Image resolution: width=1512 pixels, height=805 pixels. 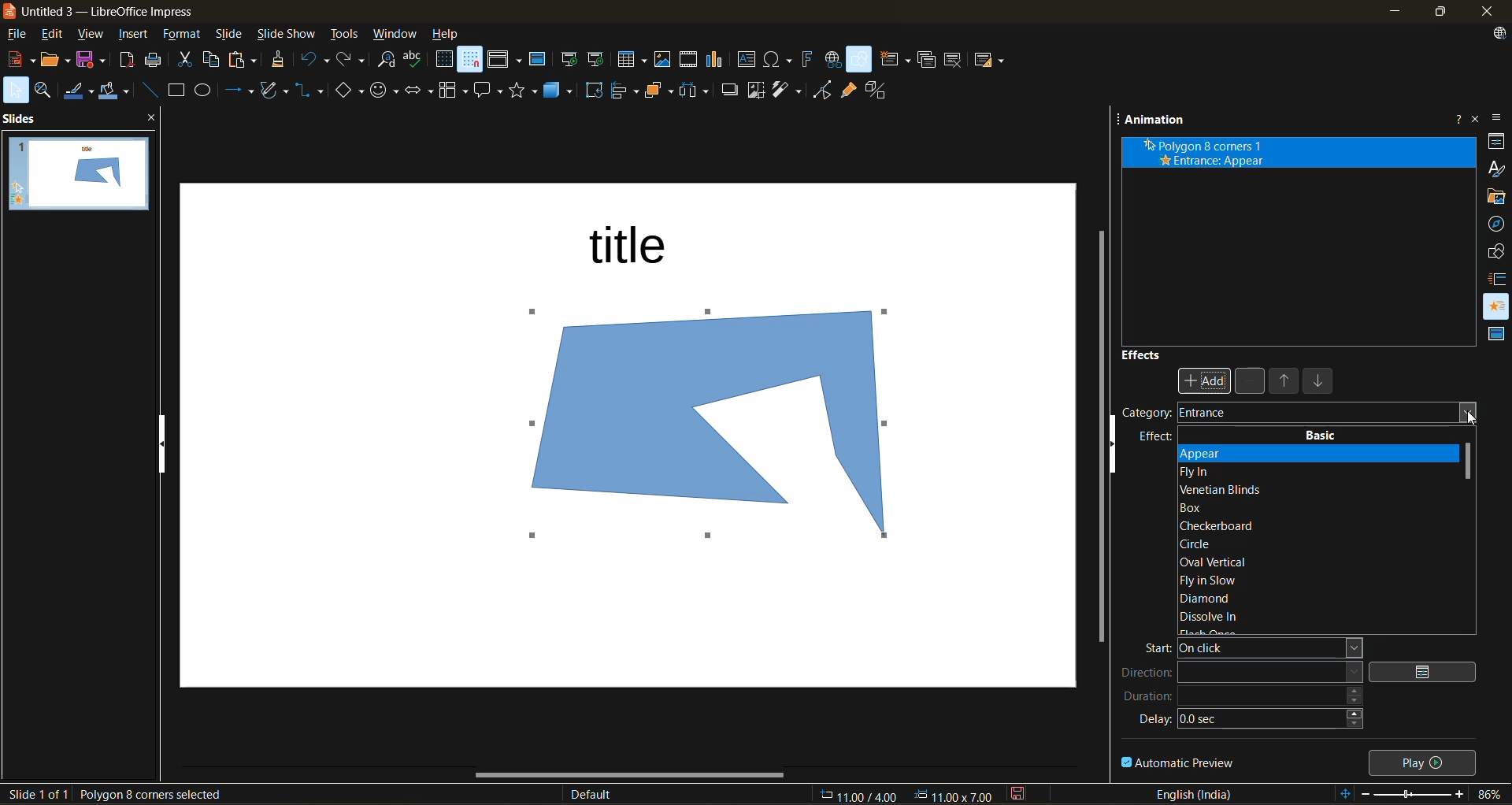 What do you see at coordinates (632, 777) in the screenshot?
I see `horizontal scroll bar` at bounding box center [632, 777].